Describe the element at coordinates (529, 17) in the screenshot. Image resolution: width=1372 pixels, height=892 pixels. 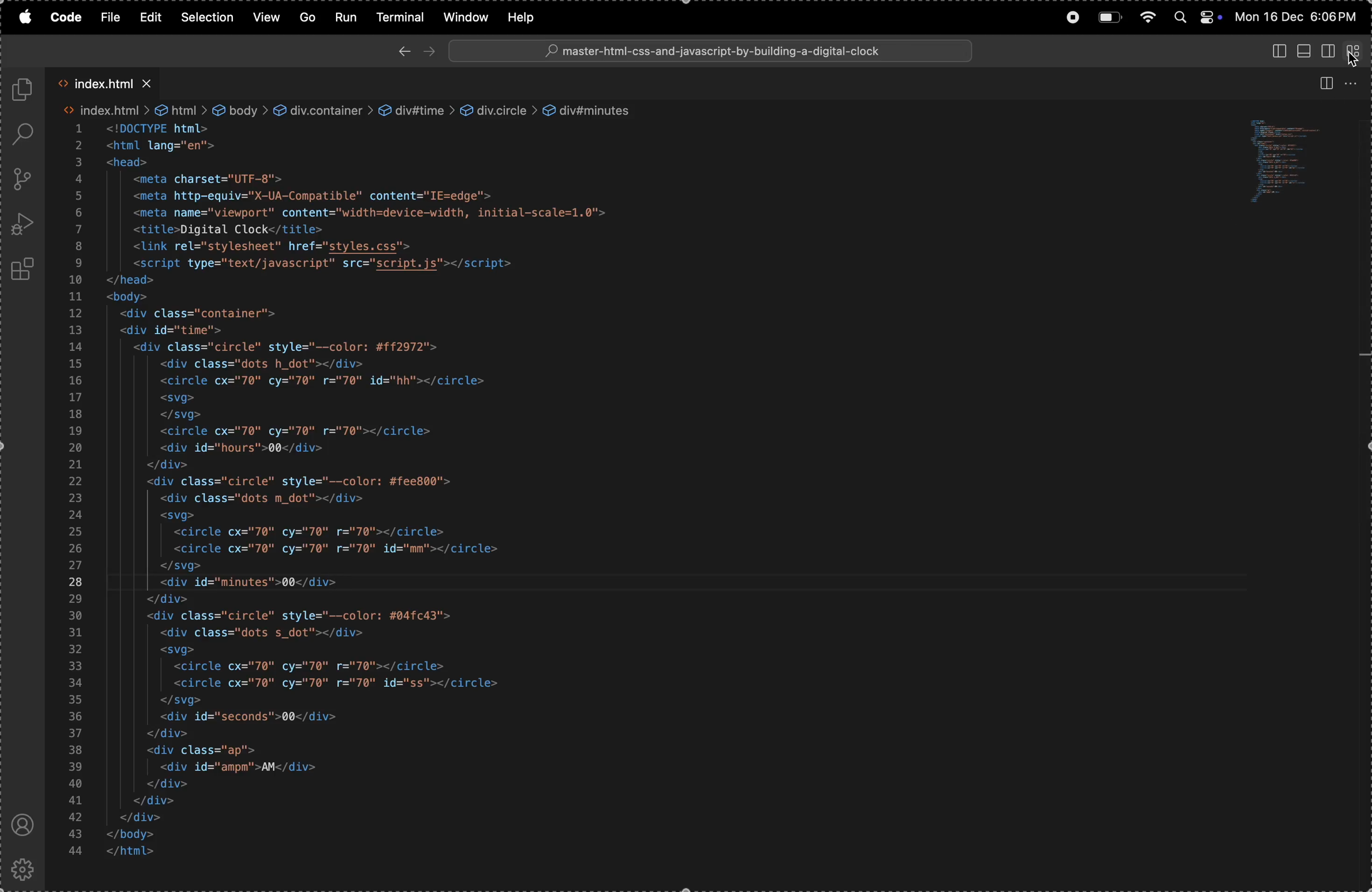
I see `help` at that location.